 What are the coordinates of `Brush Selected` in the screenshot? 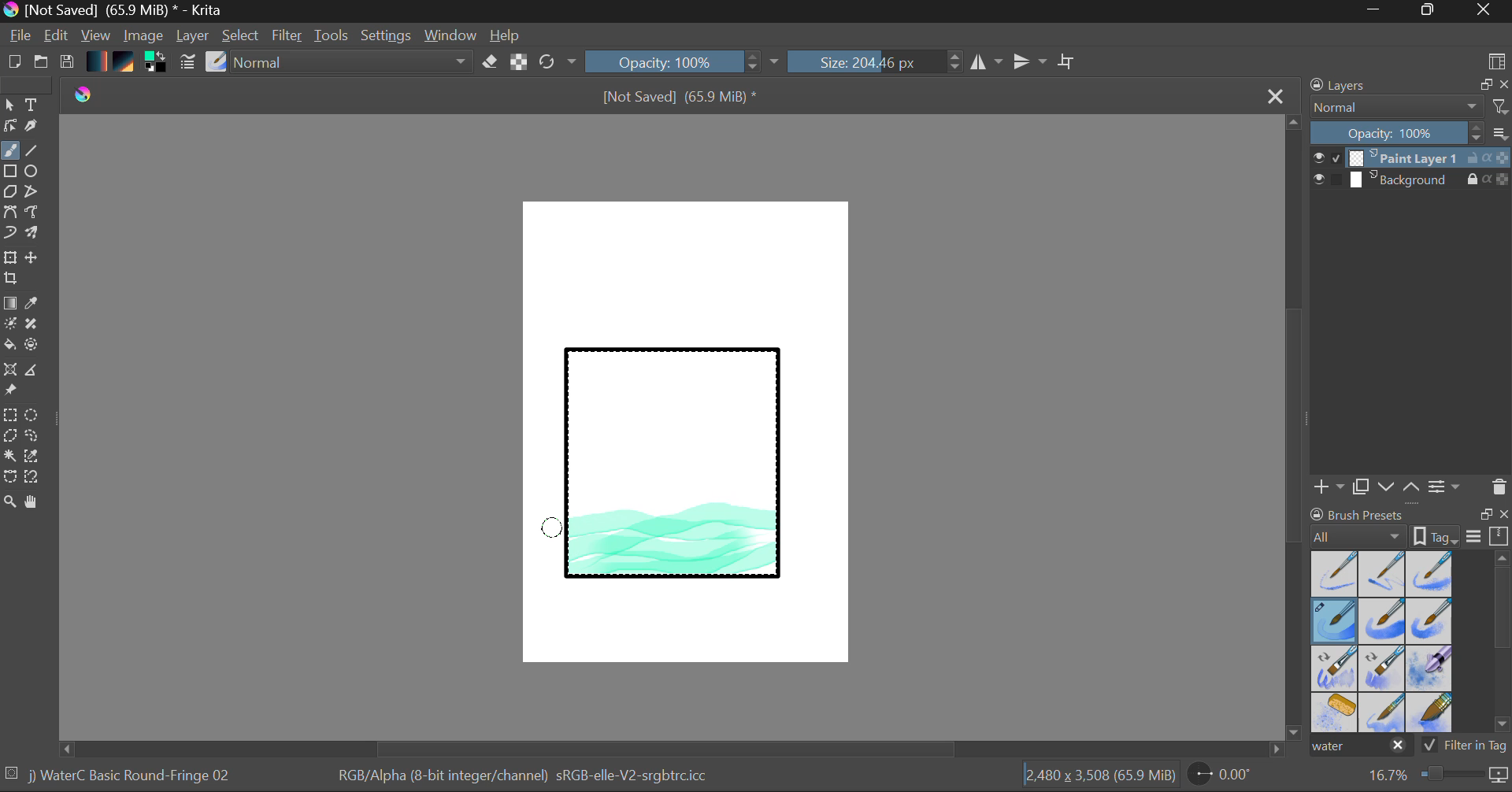 It's located at (1336, 622).